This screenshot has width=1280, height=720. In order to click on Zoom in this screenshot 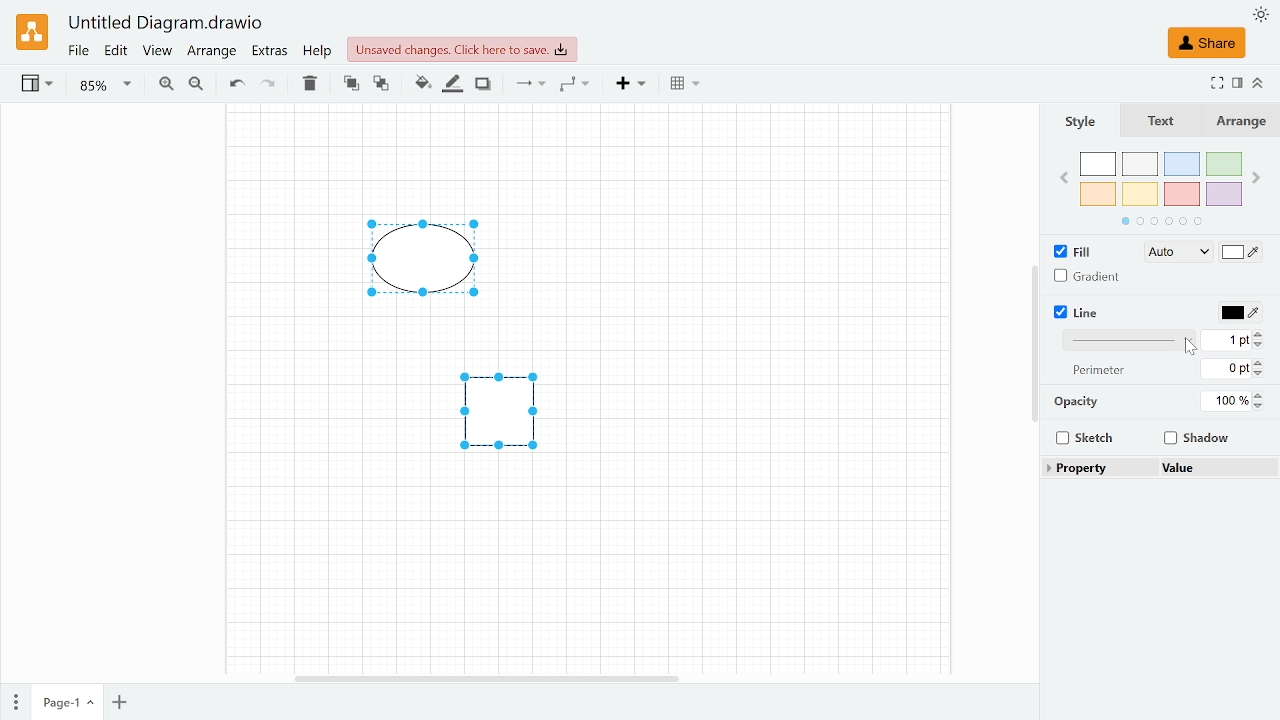, I will do `click(105, 86)`.